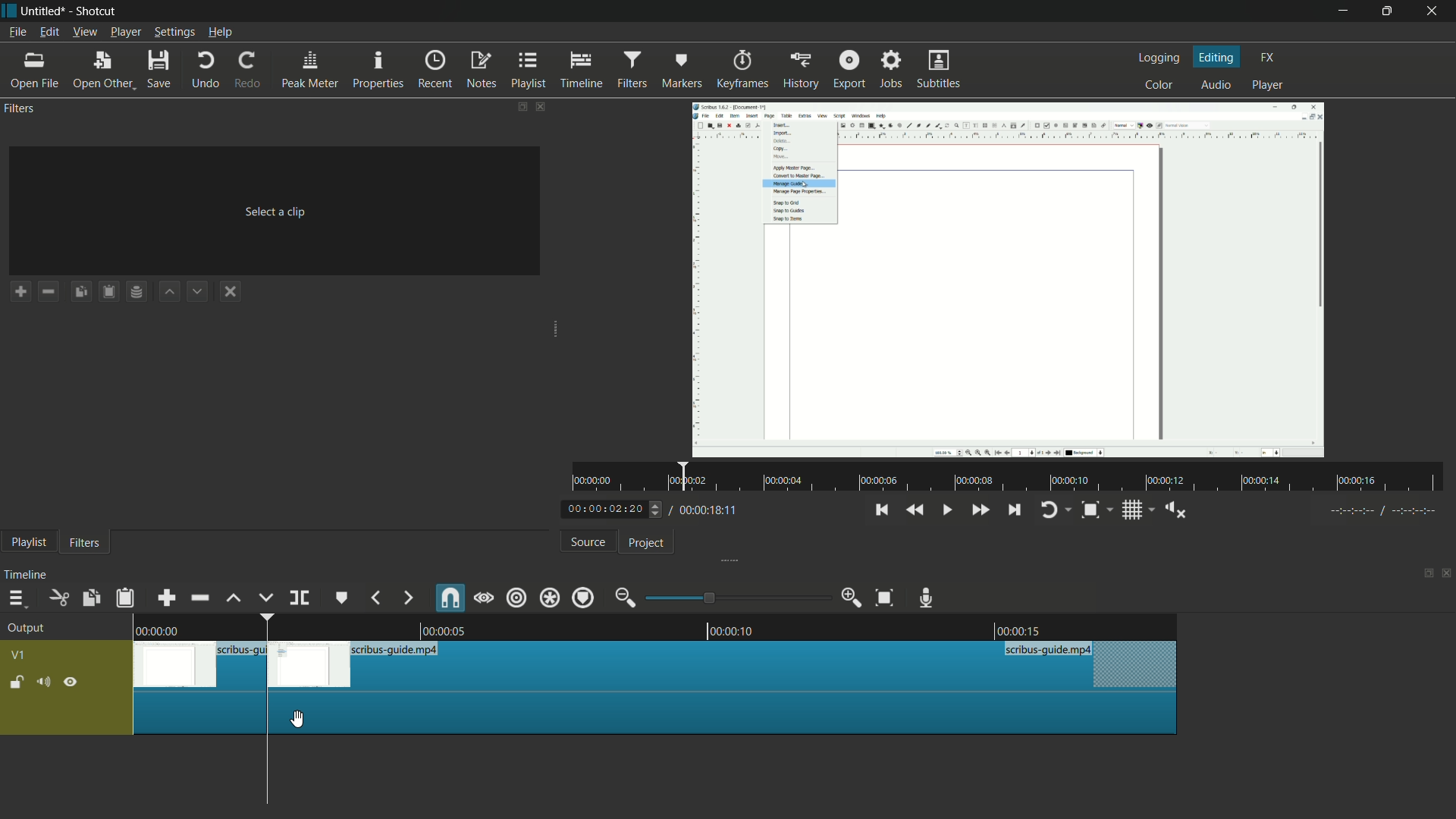  What do you see at coordinates (221, 33) in the screenshot?
I see `help menu` at bounding box center [221, 33].